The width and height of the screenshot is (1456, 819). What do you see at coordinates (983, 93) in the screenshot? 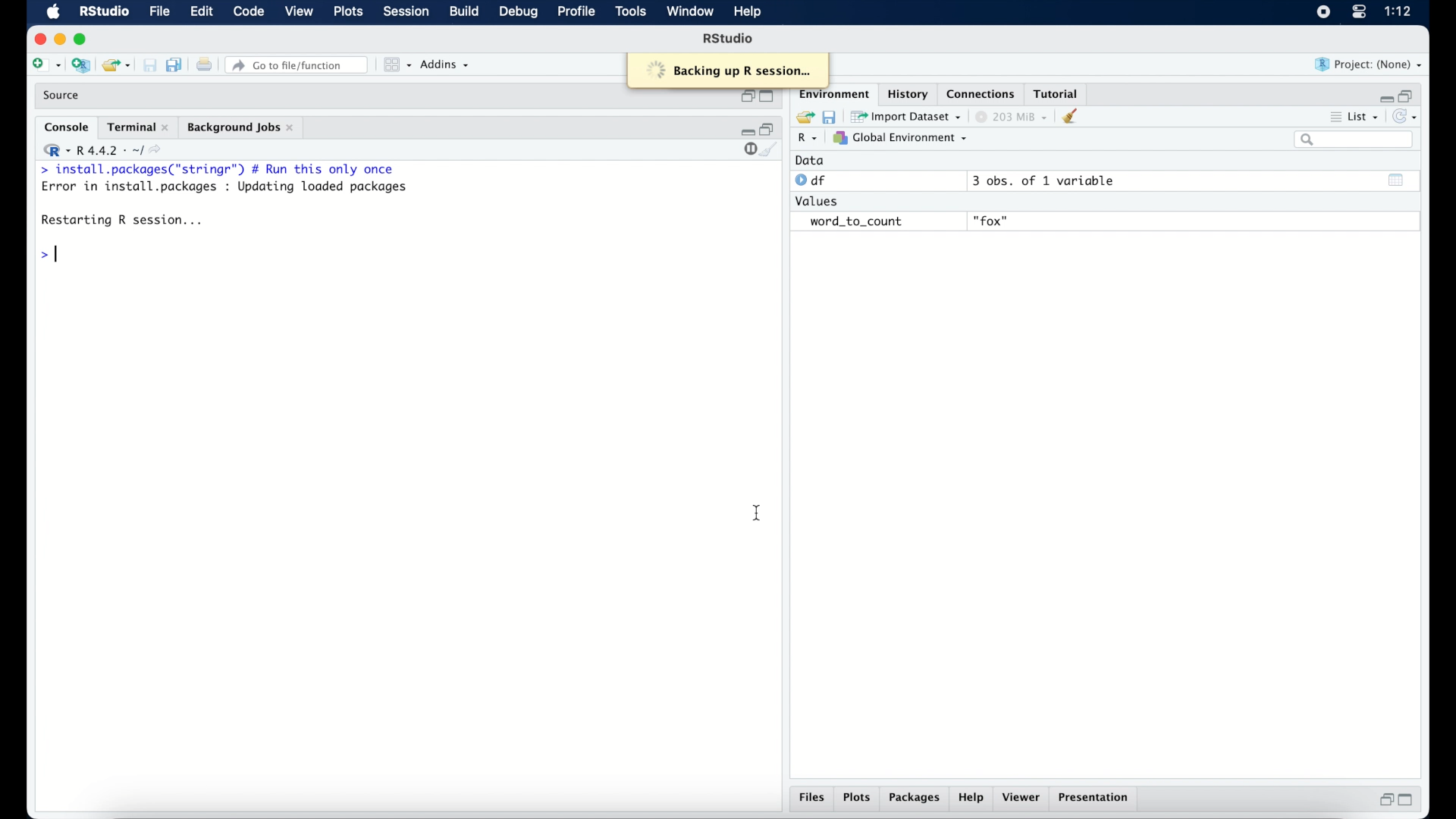
I see `connections` at bounding box center [983, 93].